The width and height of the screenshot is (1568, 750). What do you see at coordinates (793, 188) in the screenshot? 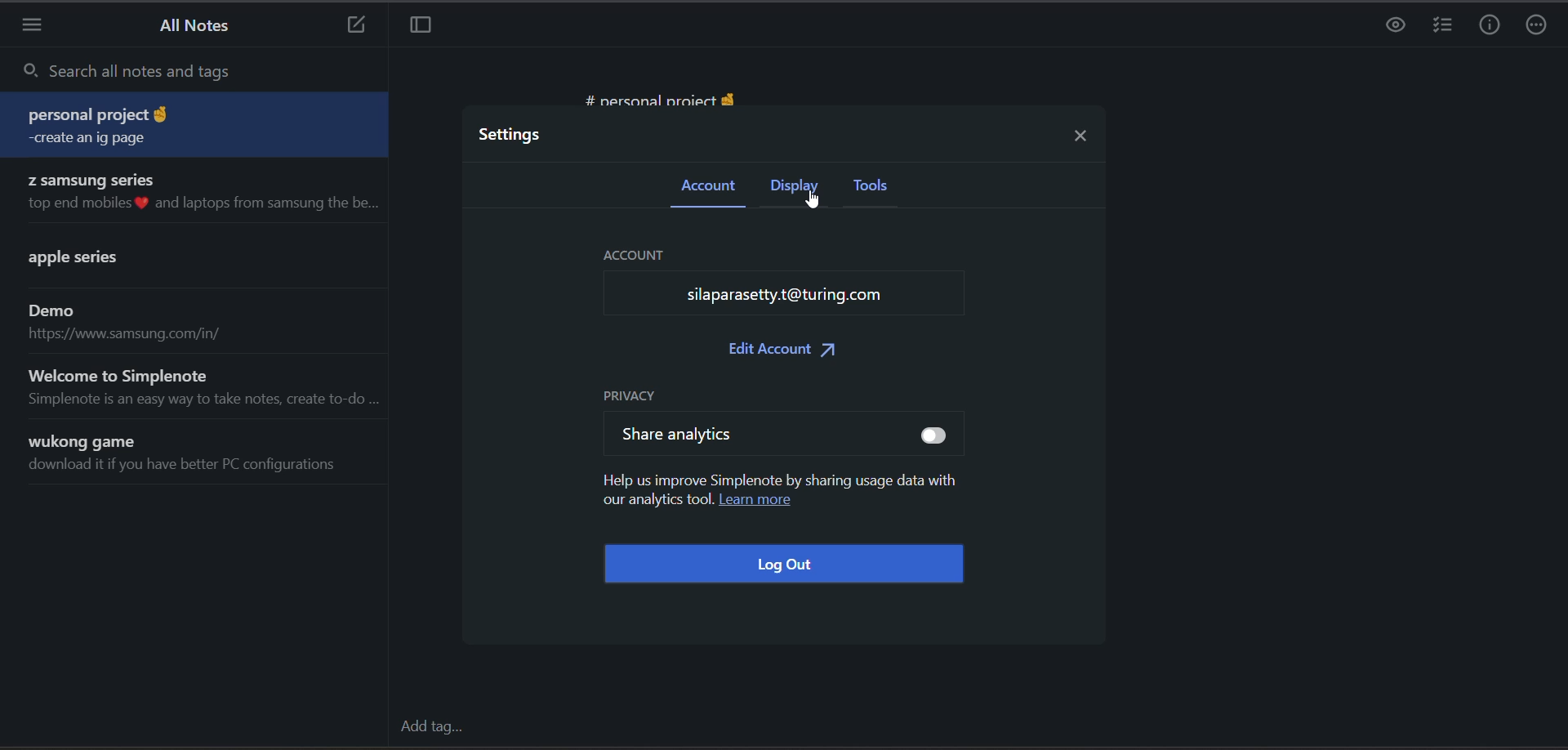
I see `display` at bounding box center [793, 188].